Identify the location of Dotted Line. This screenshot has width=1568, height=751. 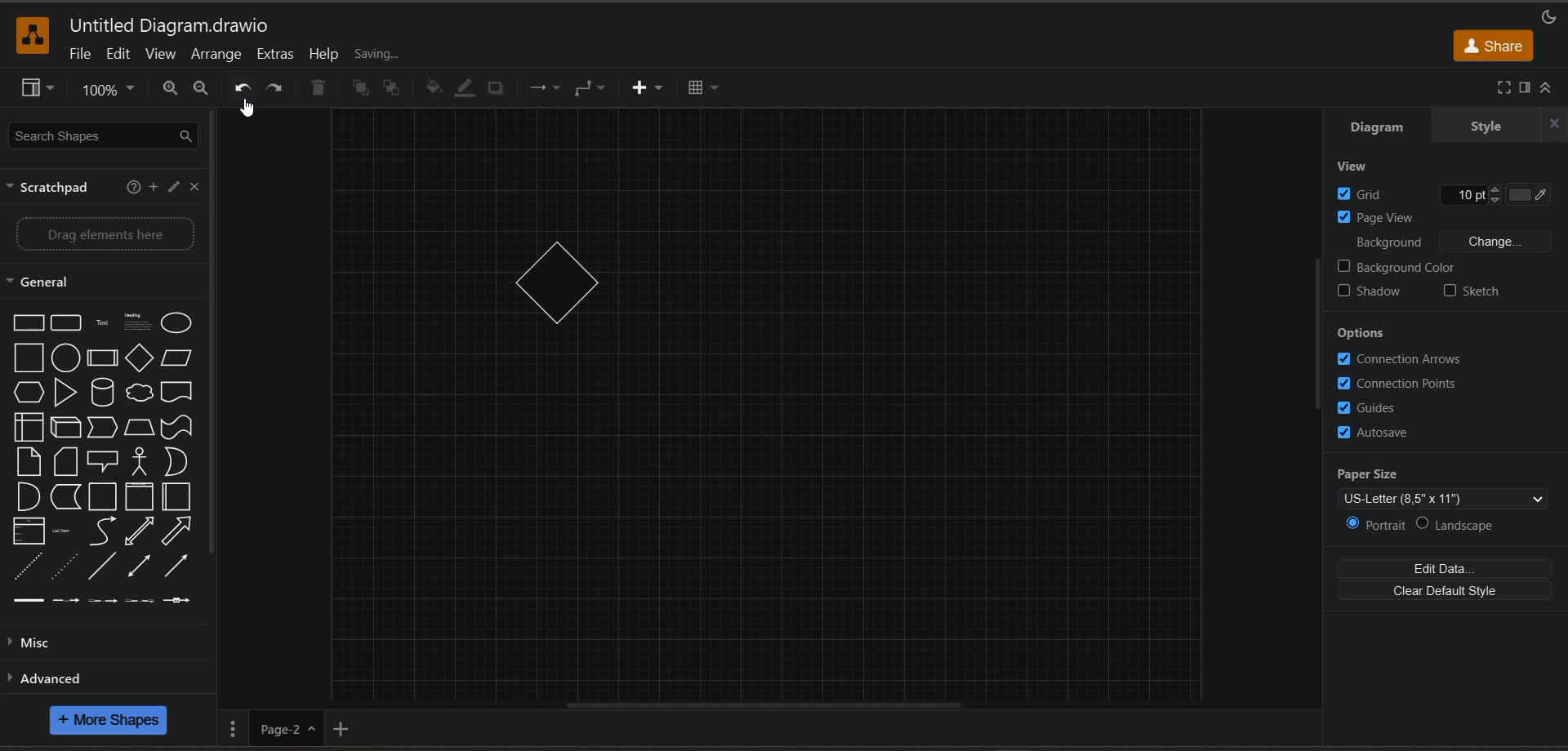
(67, 566).